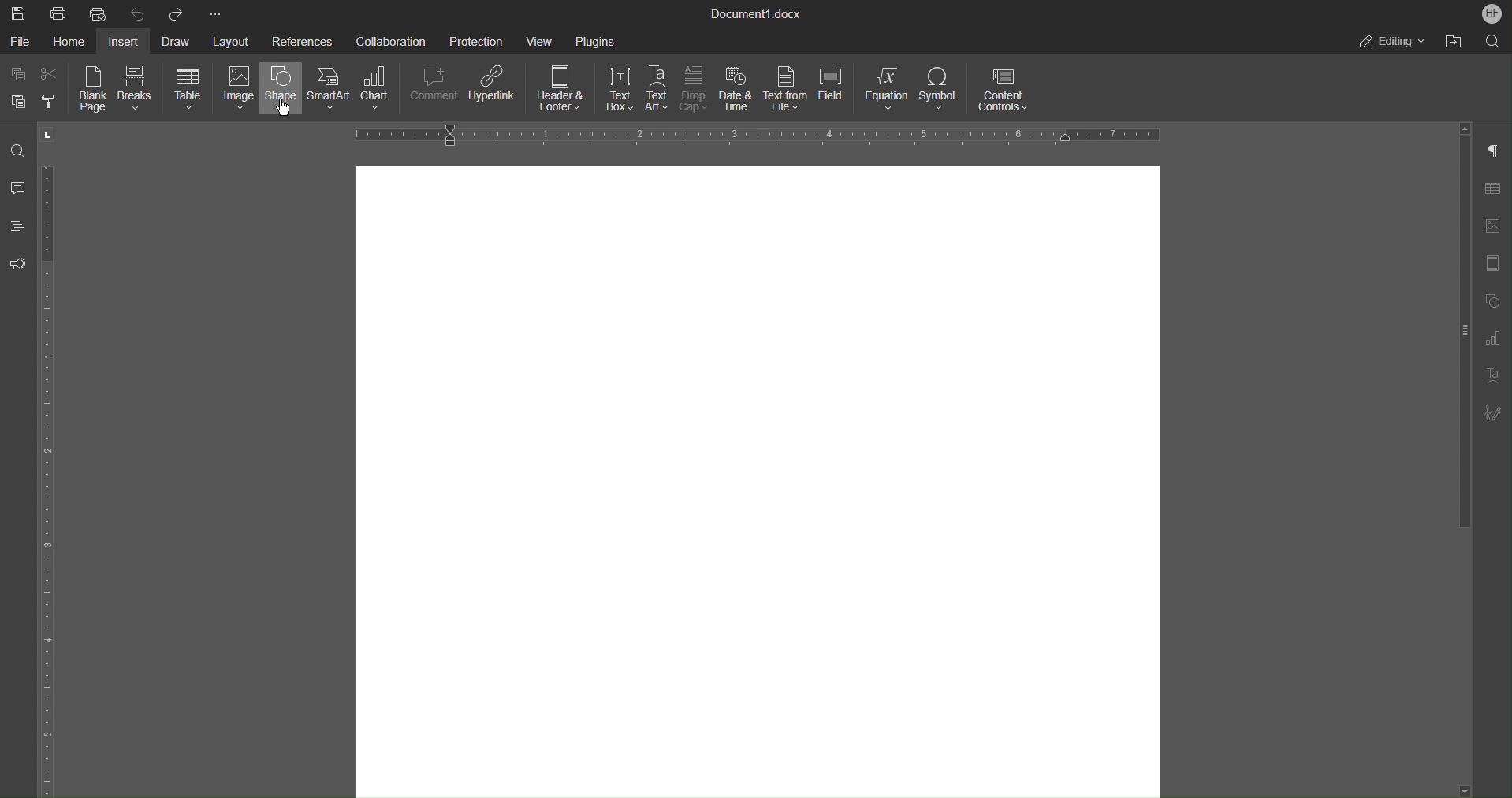 This screenshot has width=1512, height=798. I want to click on cursor, so click(281, 115).